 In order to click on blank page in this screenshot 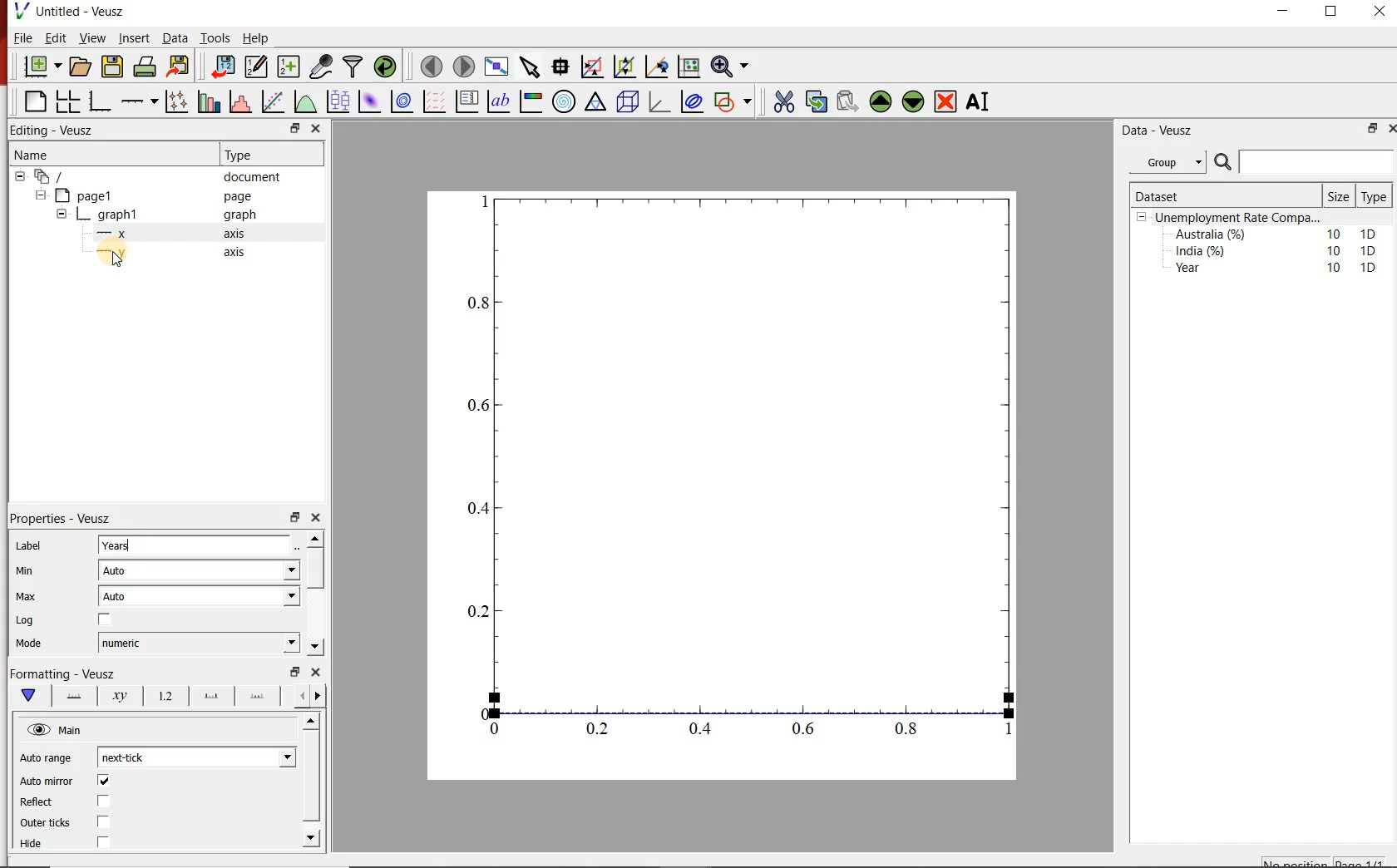, I will do `click(34, 100)`.